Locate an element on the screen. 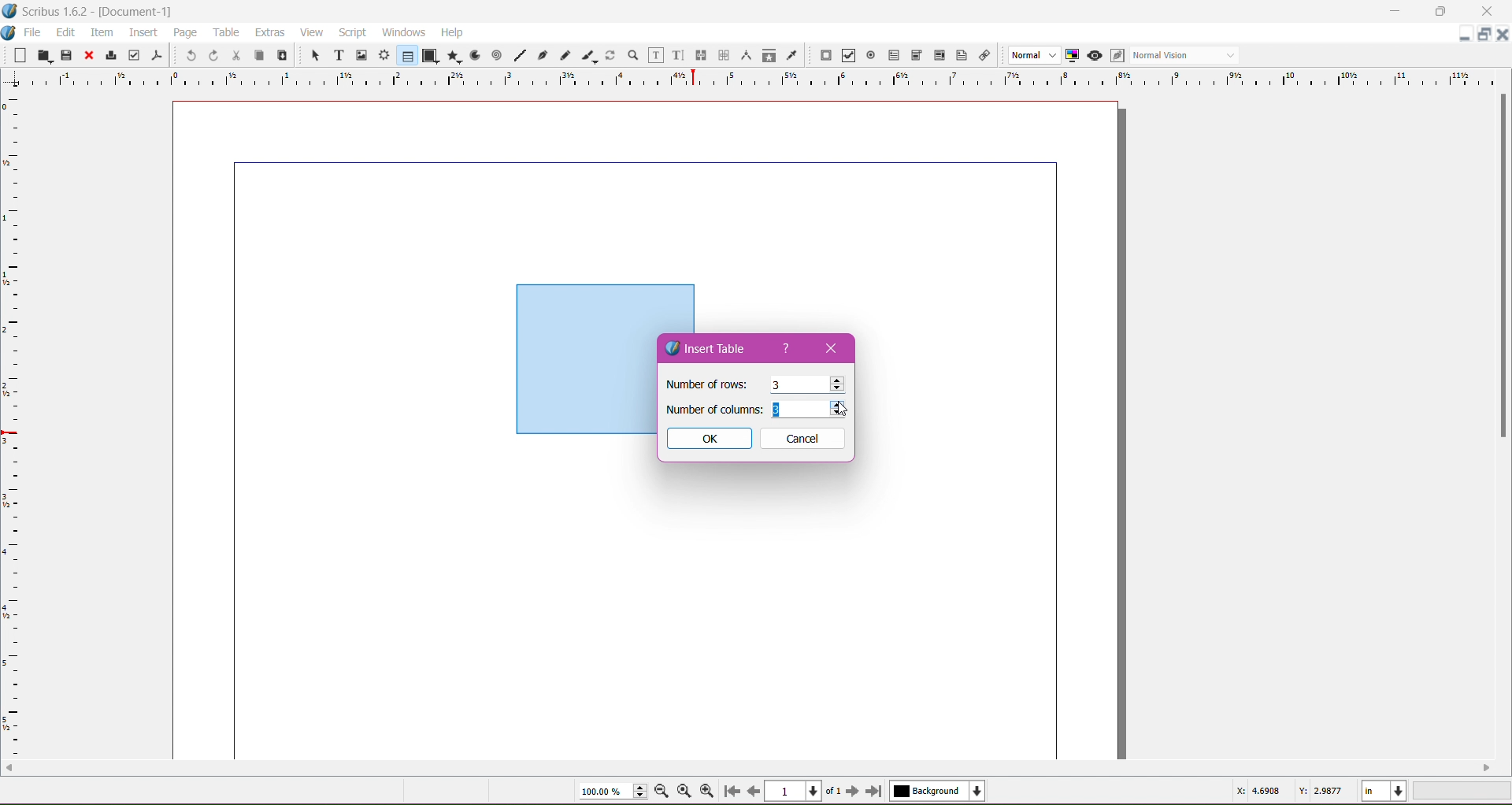 The image size is (1512, 805). Polygon is located at coordinates (451, 55).